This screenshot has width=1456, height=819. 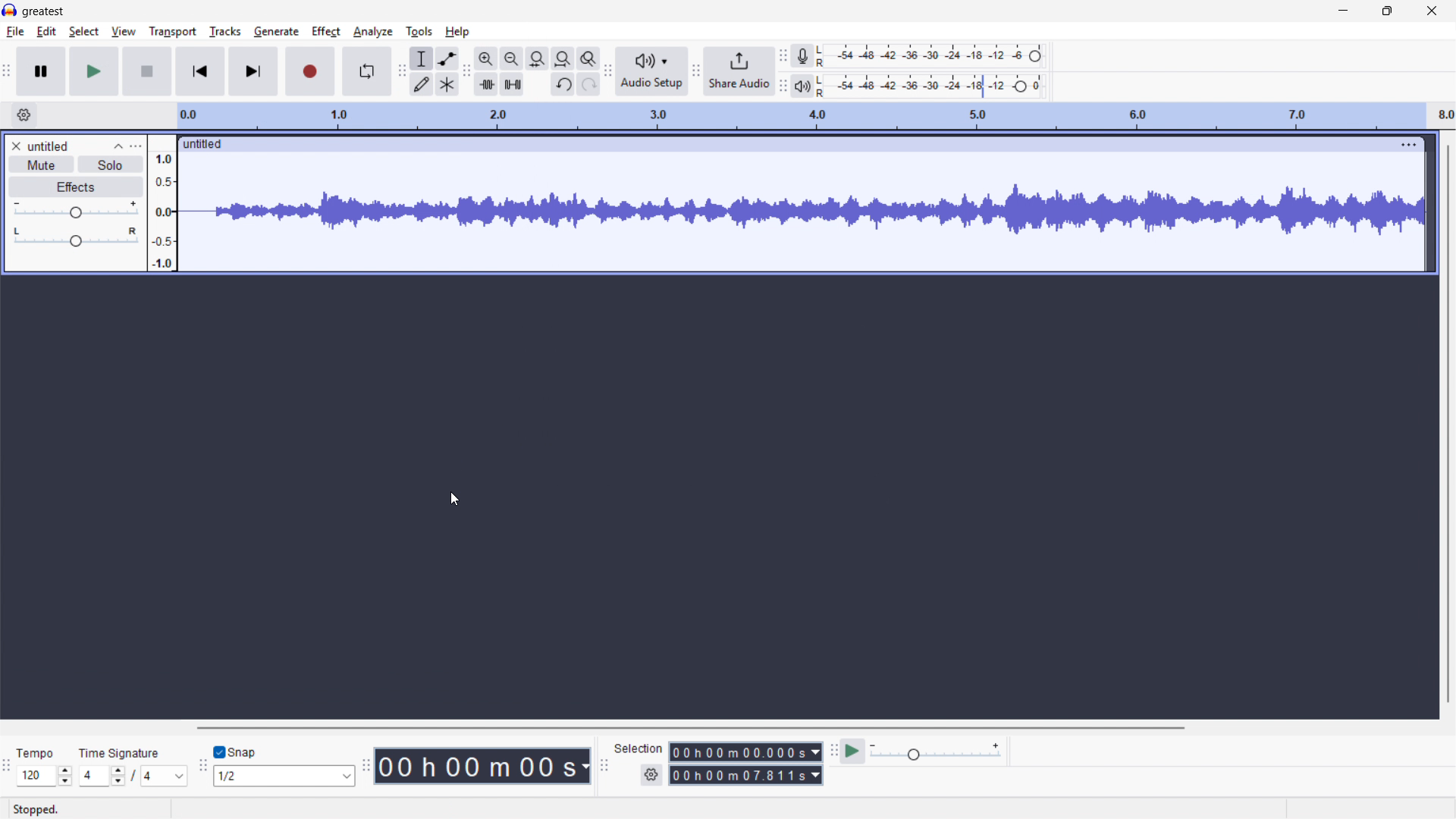 What do you see at coordinates (695, 72) in the screenshot?
I see `share audio toolbar` at bounding box center [695, 72].